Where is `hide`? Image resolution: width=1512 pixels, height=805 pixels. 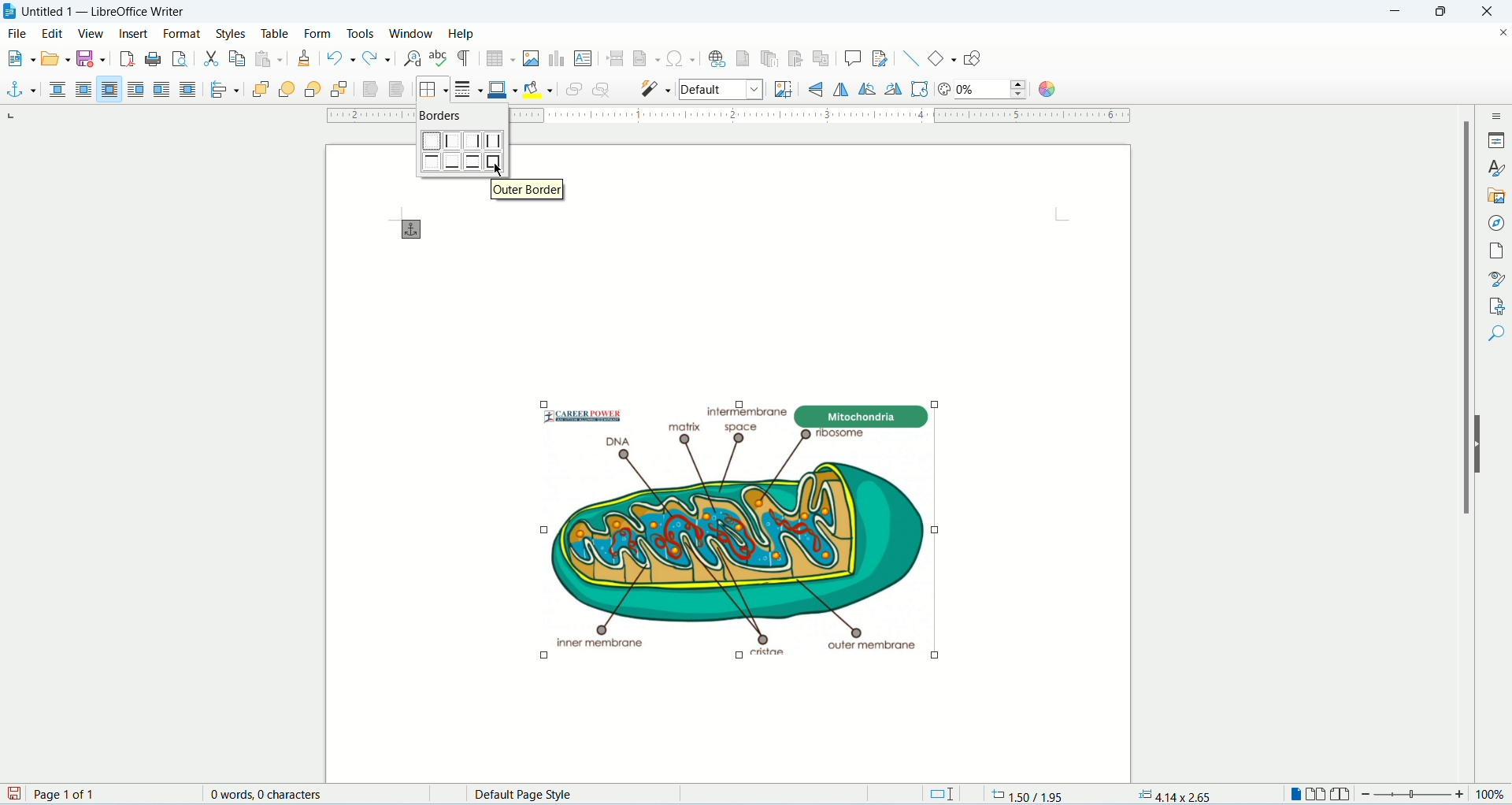
hide is located at coordinates (1480, 443).